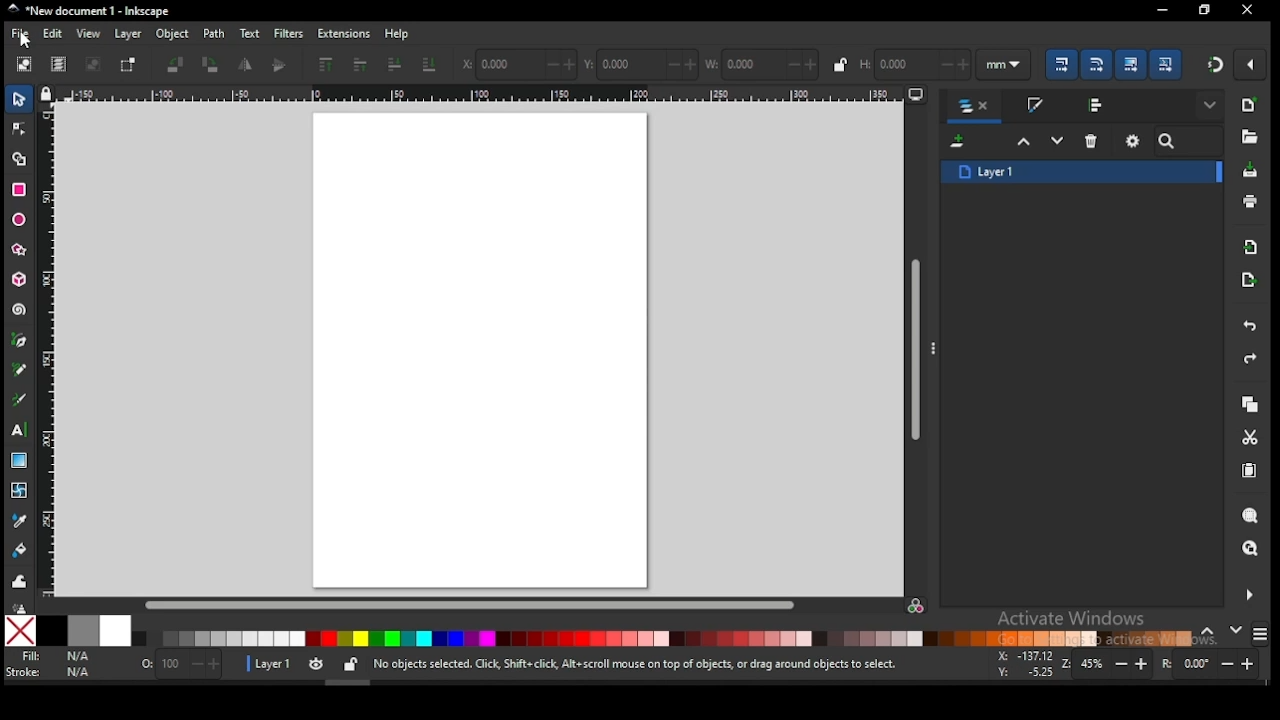 The width and height of the screenshot is (1280, 720). What do you see at coordinates (26, 63) in the screenshot?
I see `select all` at bounding box center [26, 63].